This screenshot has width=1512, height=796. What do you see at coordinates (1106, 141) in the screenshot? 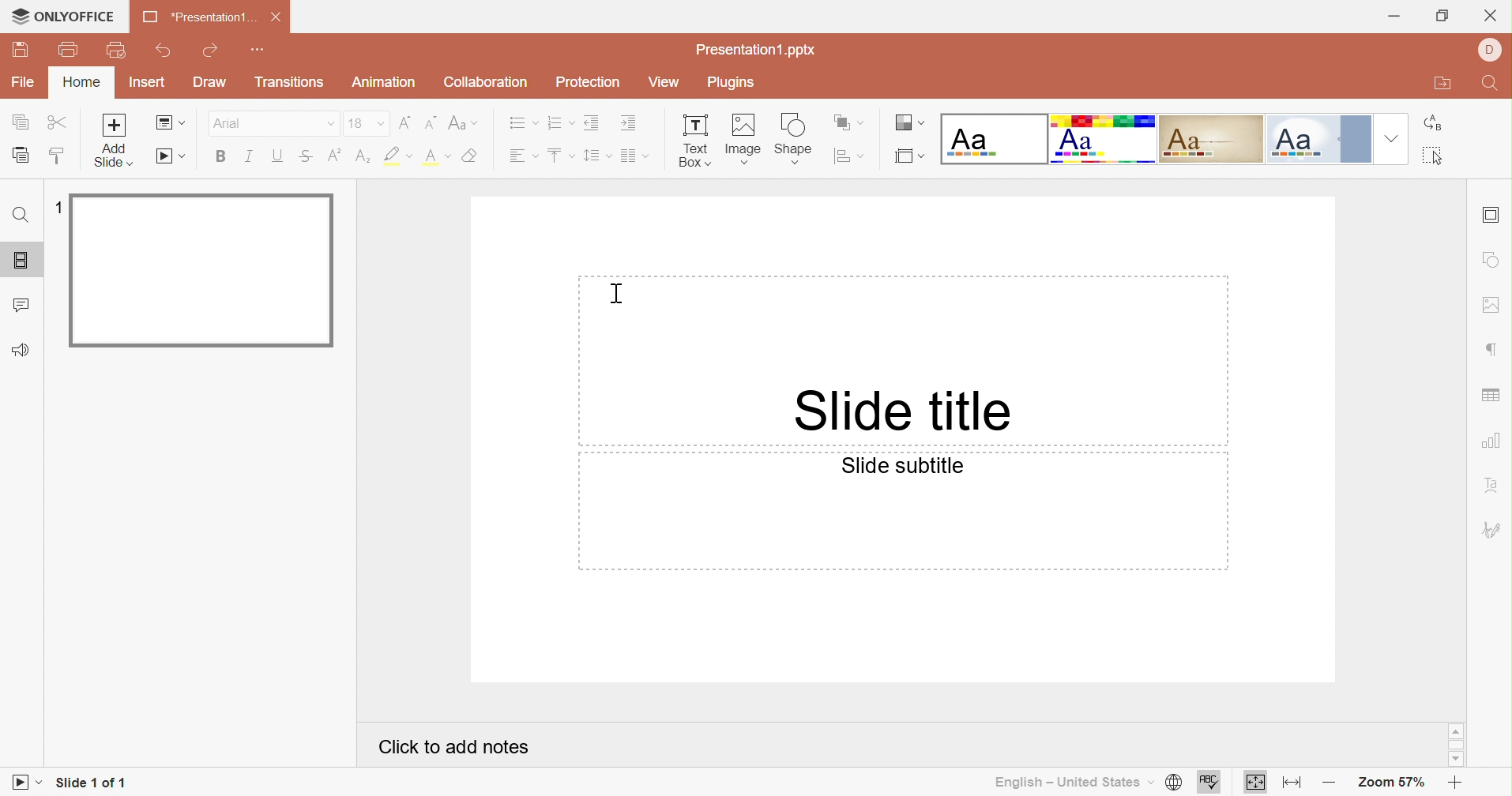
I see `Basic` at bounding box center [1106, 141].